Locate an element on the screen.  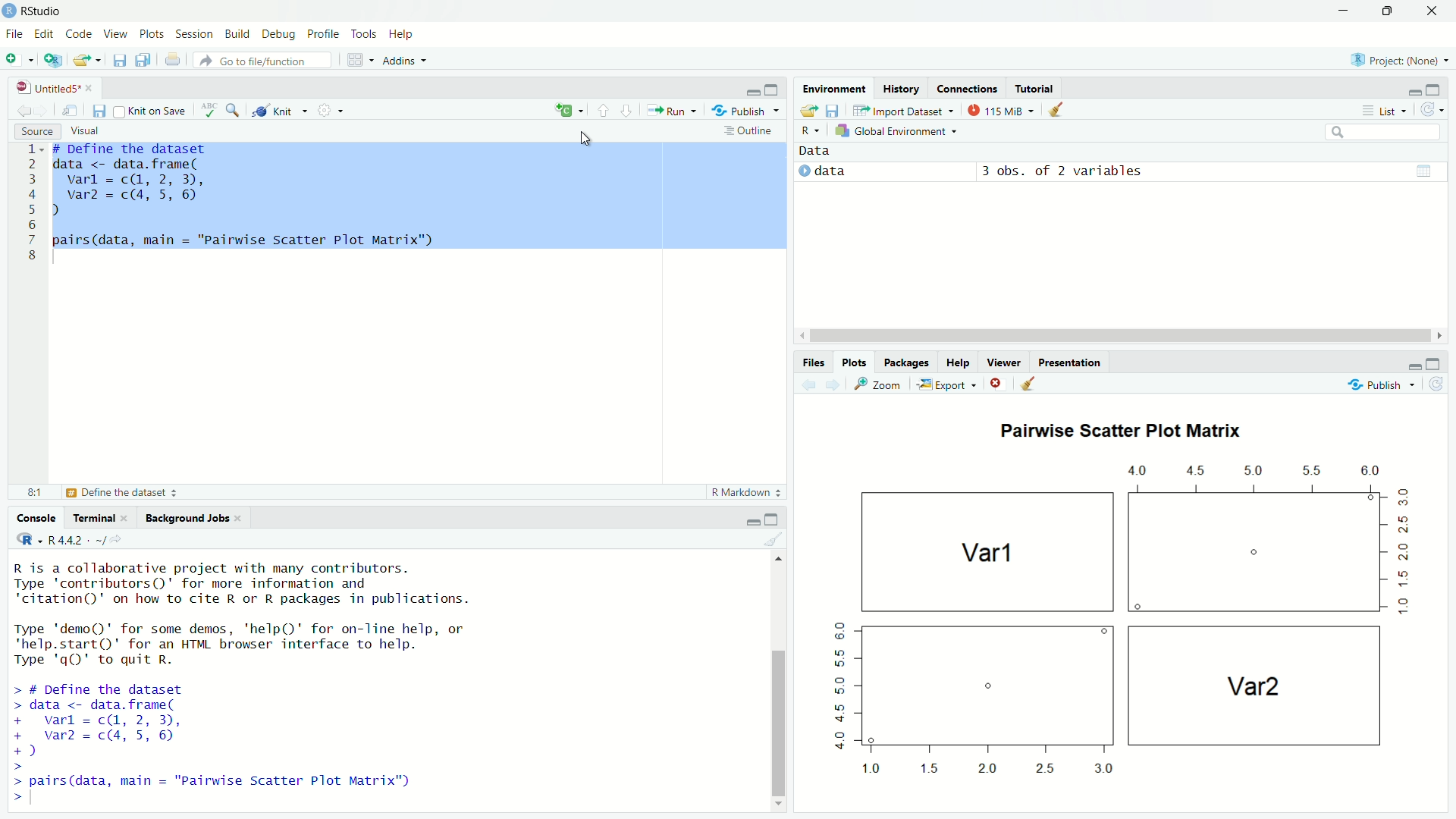
Background Jobs is located at coordinates (190, 518).